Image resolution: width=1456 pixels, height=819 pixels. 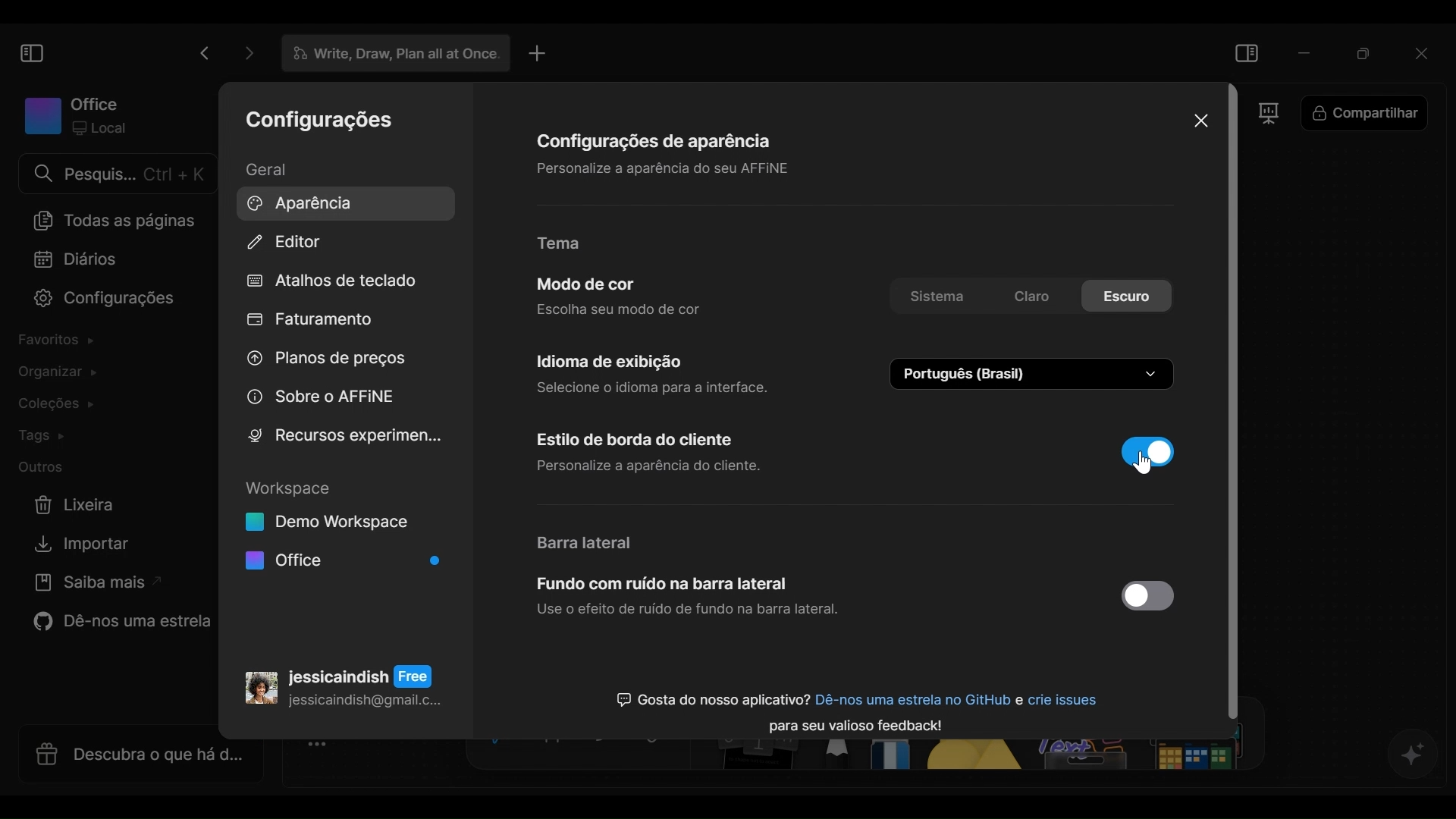 I want to click on Close, so click(x=1199, y=120).